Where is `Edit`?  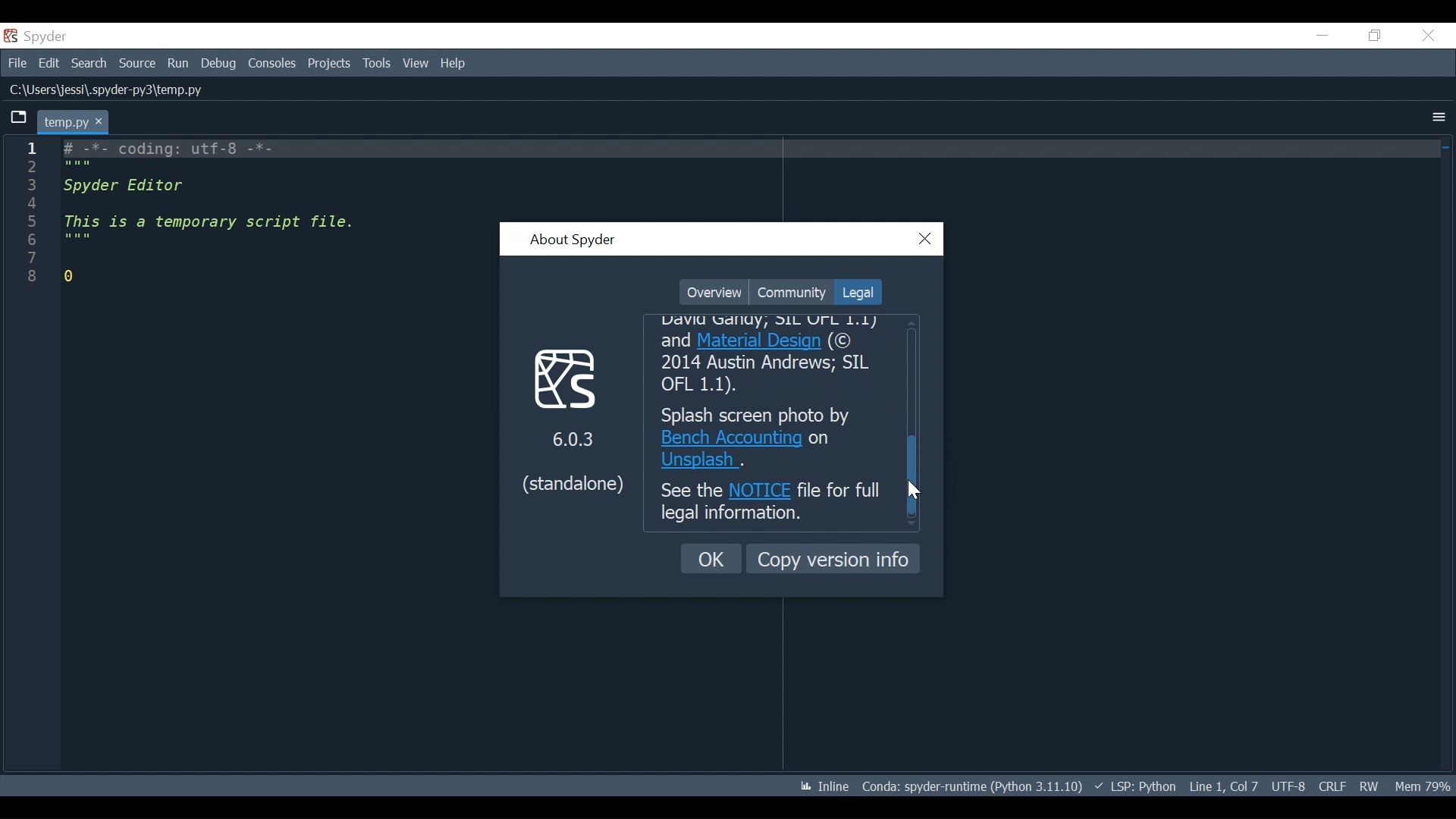
Edit is located at coordinates (49, 62).